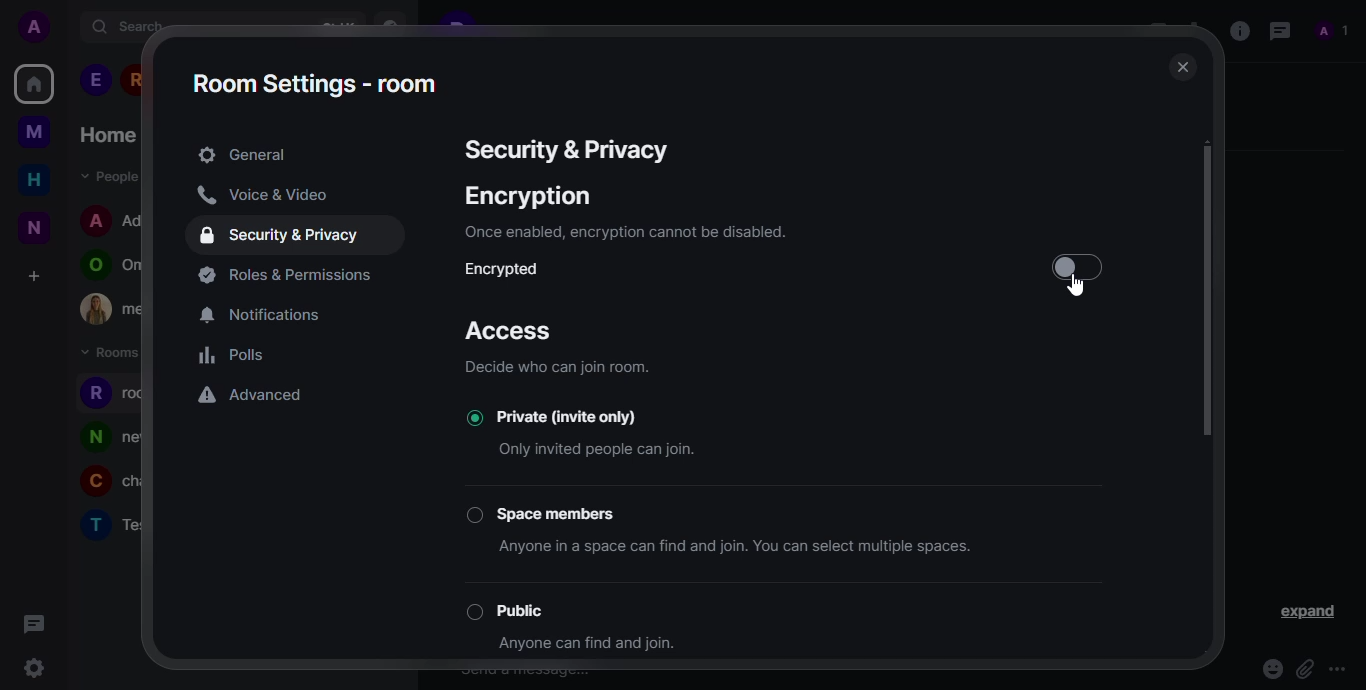  Describe the element at coordinates (1335, 32) in the screenshot. I see `people` at that location.